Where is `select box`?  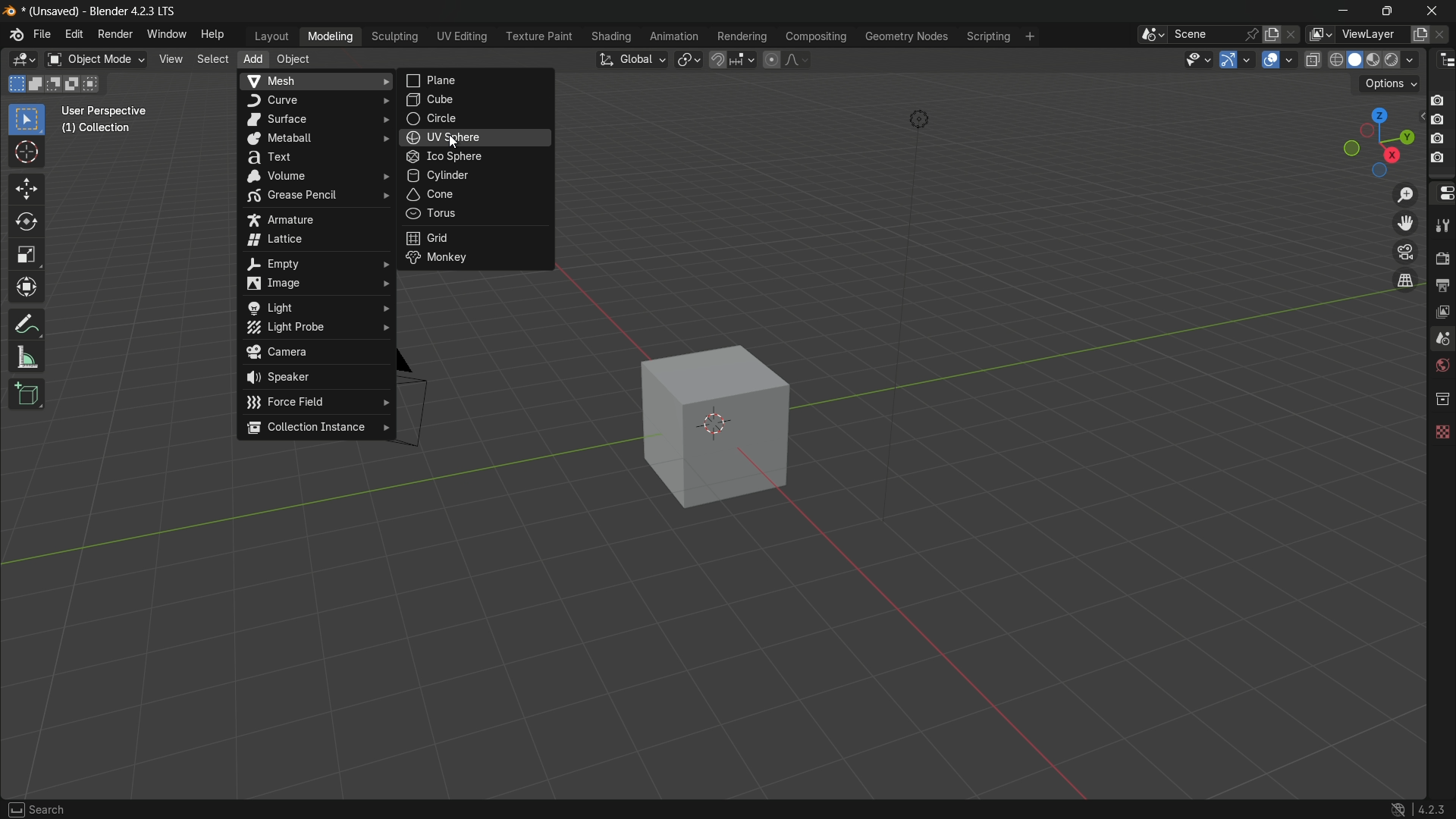
select box is located at coordinates (27, 120).